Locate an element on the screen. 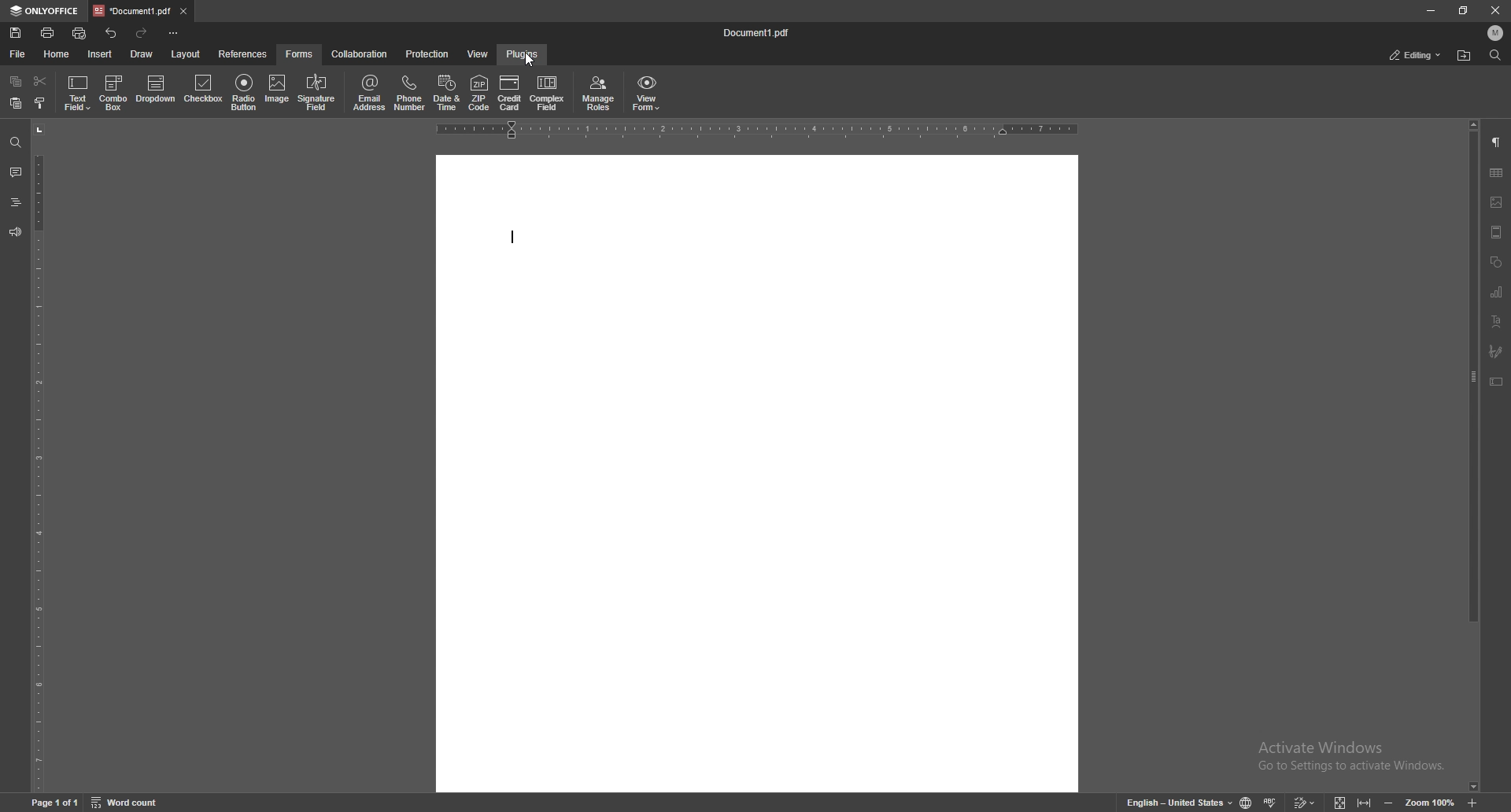 Image resolution: width=1511 pixels, height=812 pixels. signature is located at coordinates (1495, 352).